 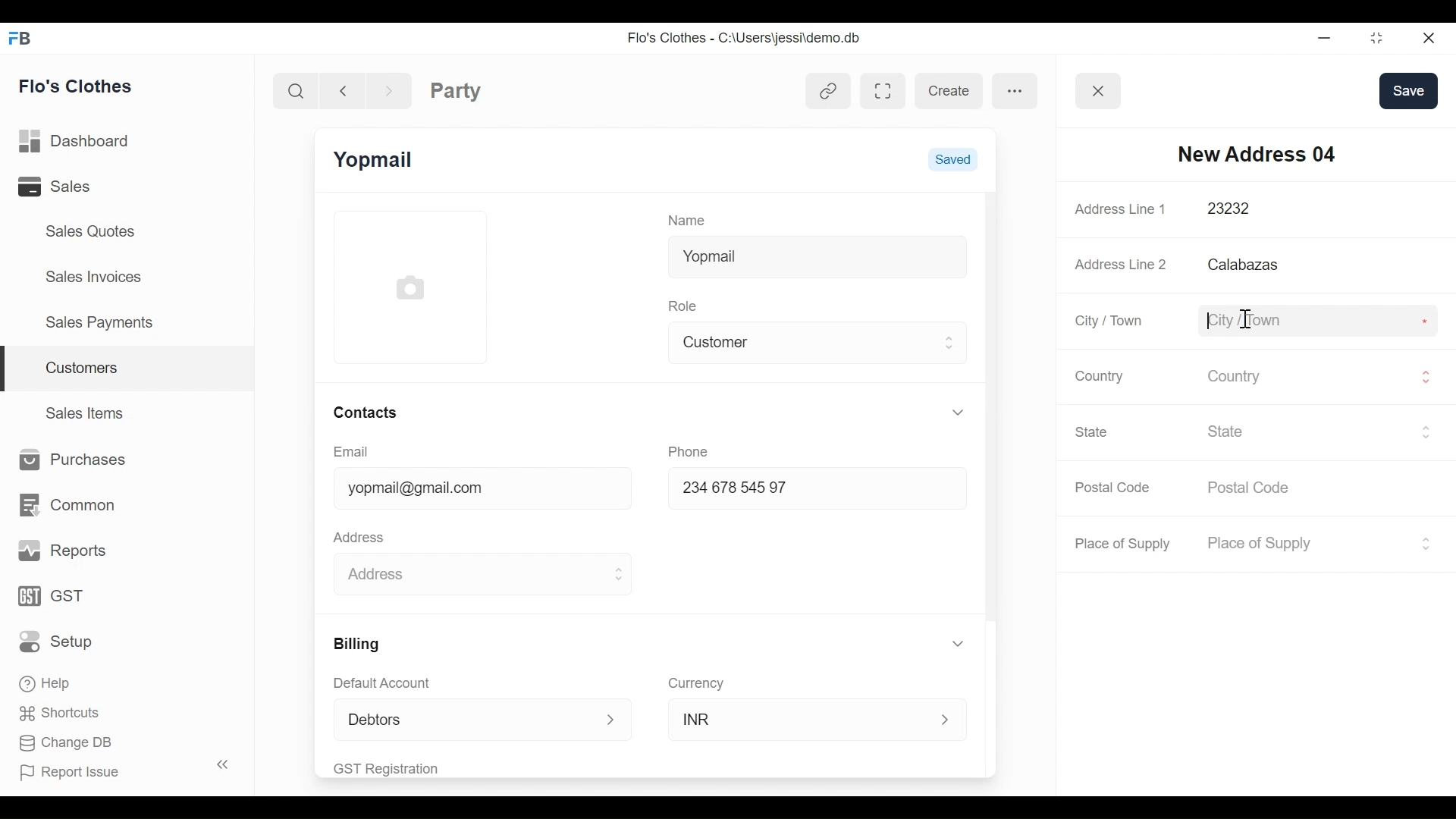 I want to click on Postal Code, so click(x=1258, y=488).